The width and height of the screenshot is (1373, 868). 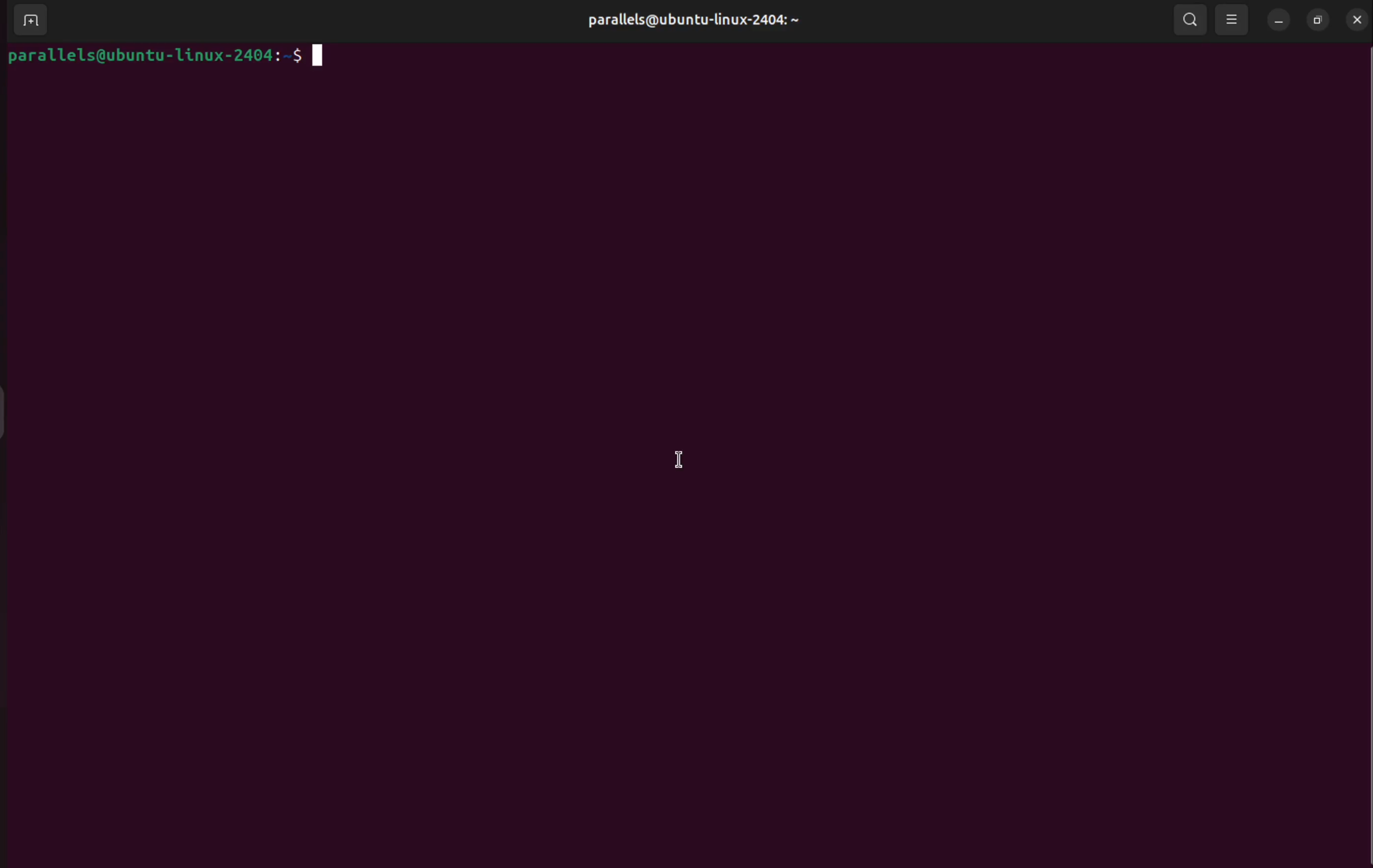 I want to click on text cursor, so click(x=674, y=453).